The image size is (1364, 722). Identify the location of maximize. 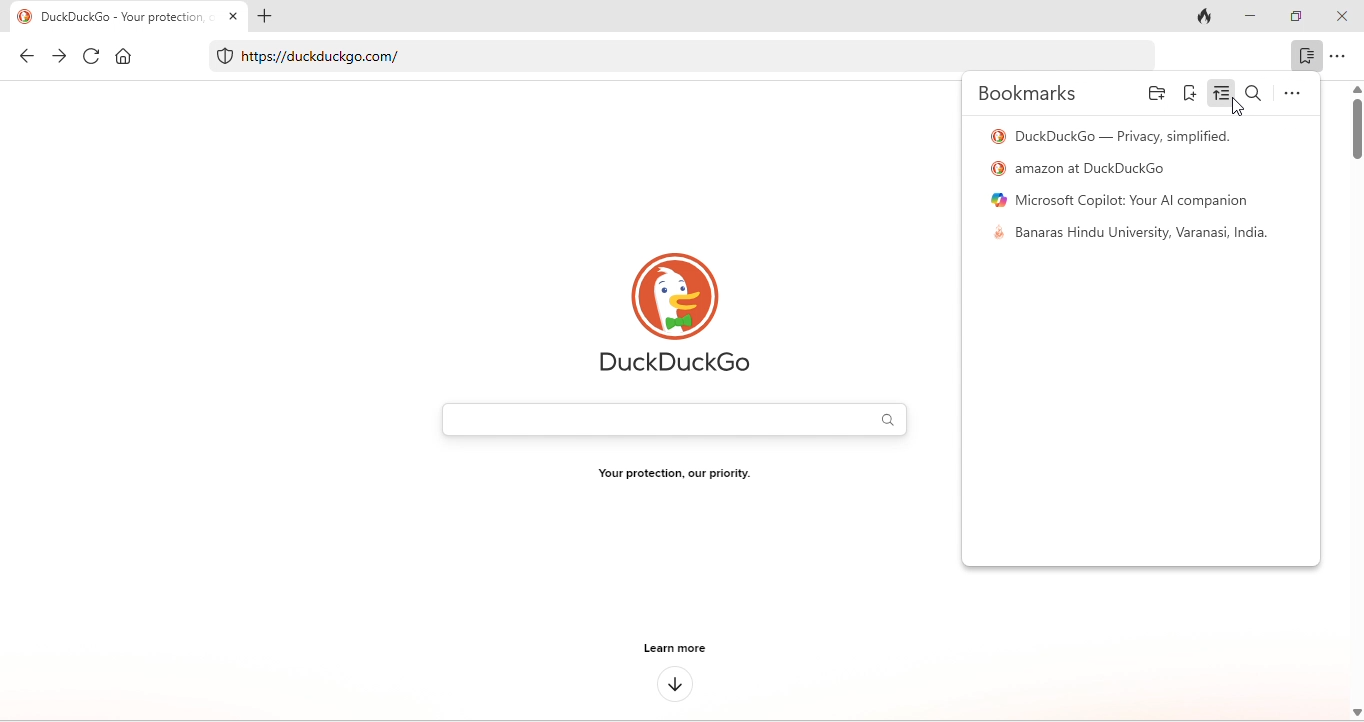
(1300, 19).